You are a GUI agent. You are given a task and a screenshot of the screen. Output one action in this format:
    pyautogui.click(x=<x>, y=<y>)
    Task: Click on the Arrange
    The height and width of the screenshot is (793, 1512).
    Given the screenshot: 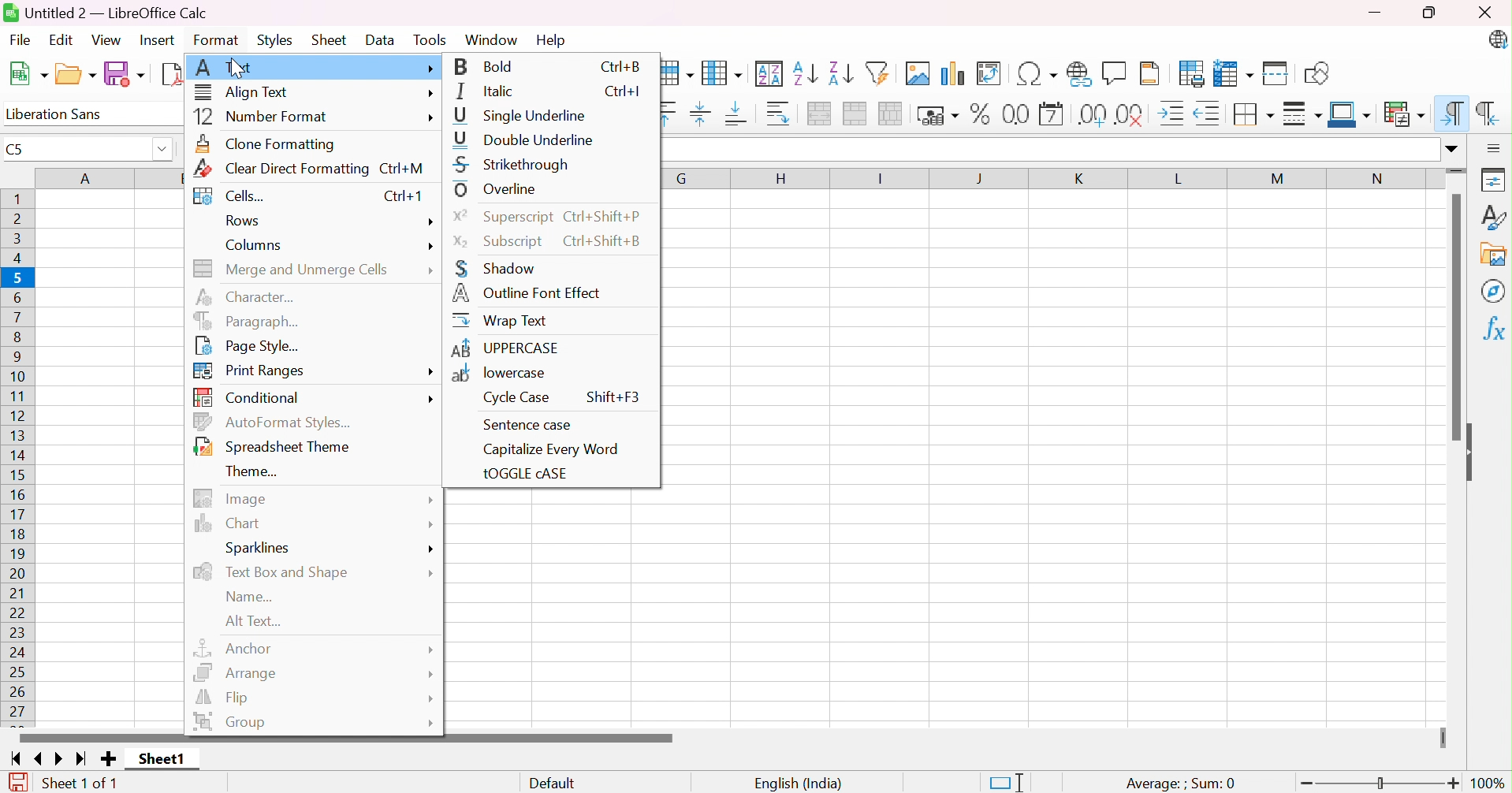 What is the action you would take?
    pyautogui.click(x=236, y=670)
    